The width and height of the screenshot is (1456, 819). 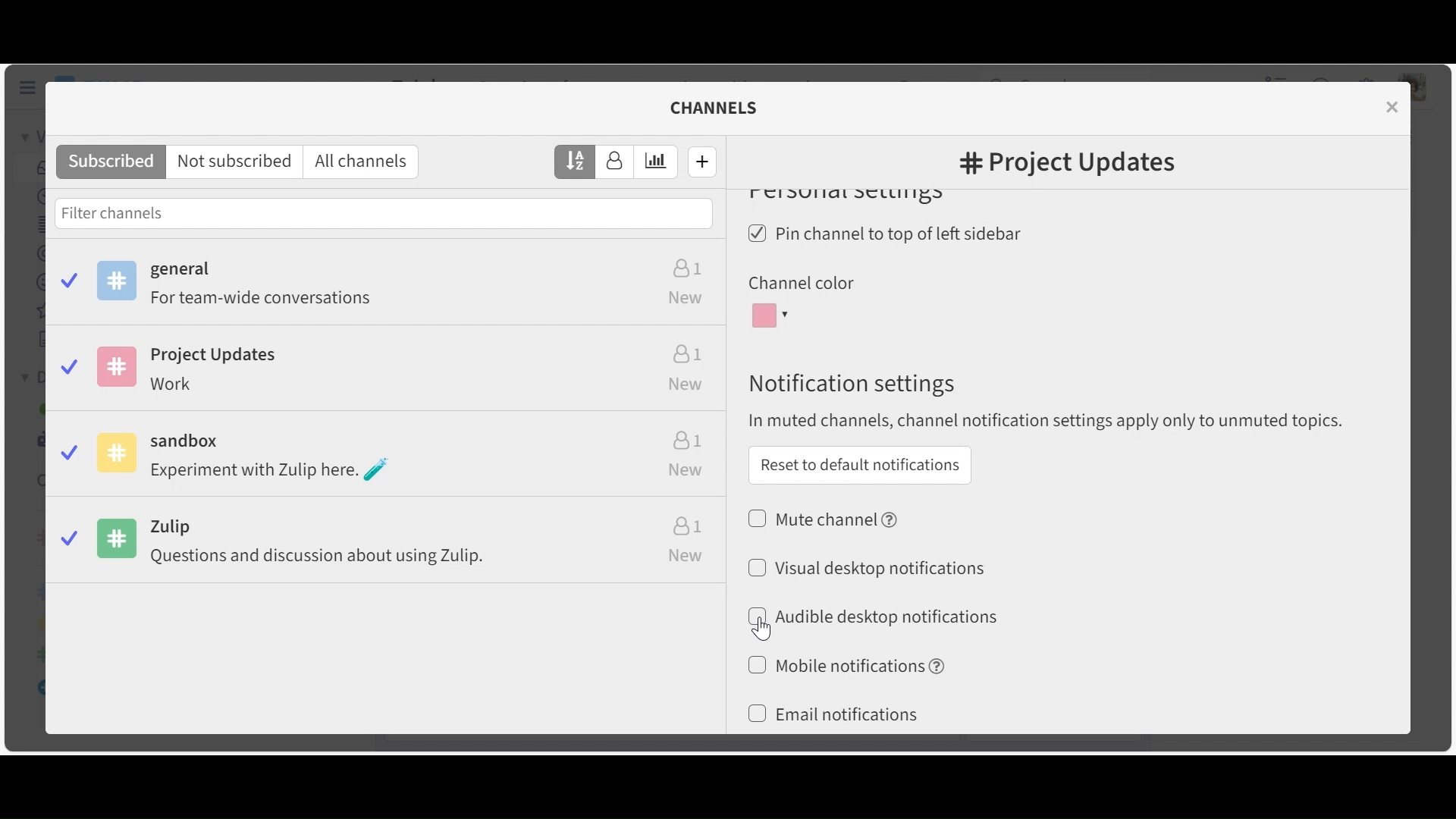 I want to click on All channels, so click(x=366, y=162).